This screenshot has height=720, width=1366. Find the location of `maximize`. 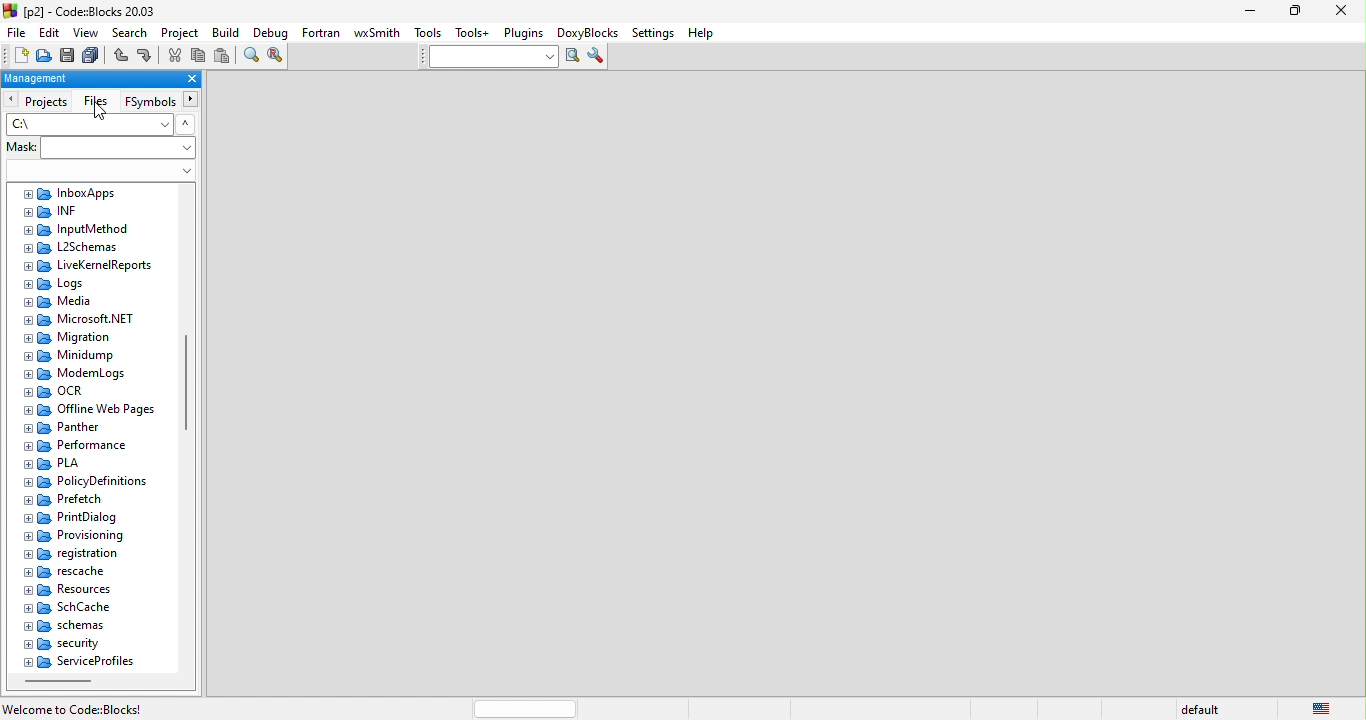

maximize is located at coordinates (1296, 13).